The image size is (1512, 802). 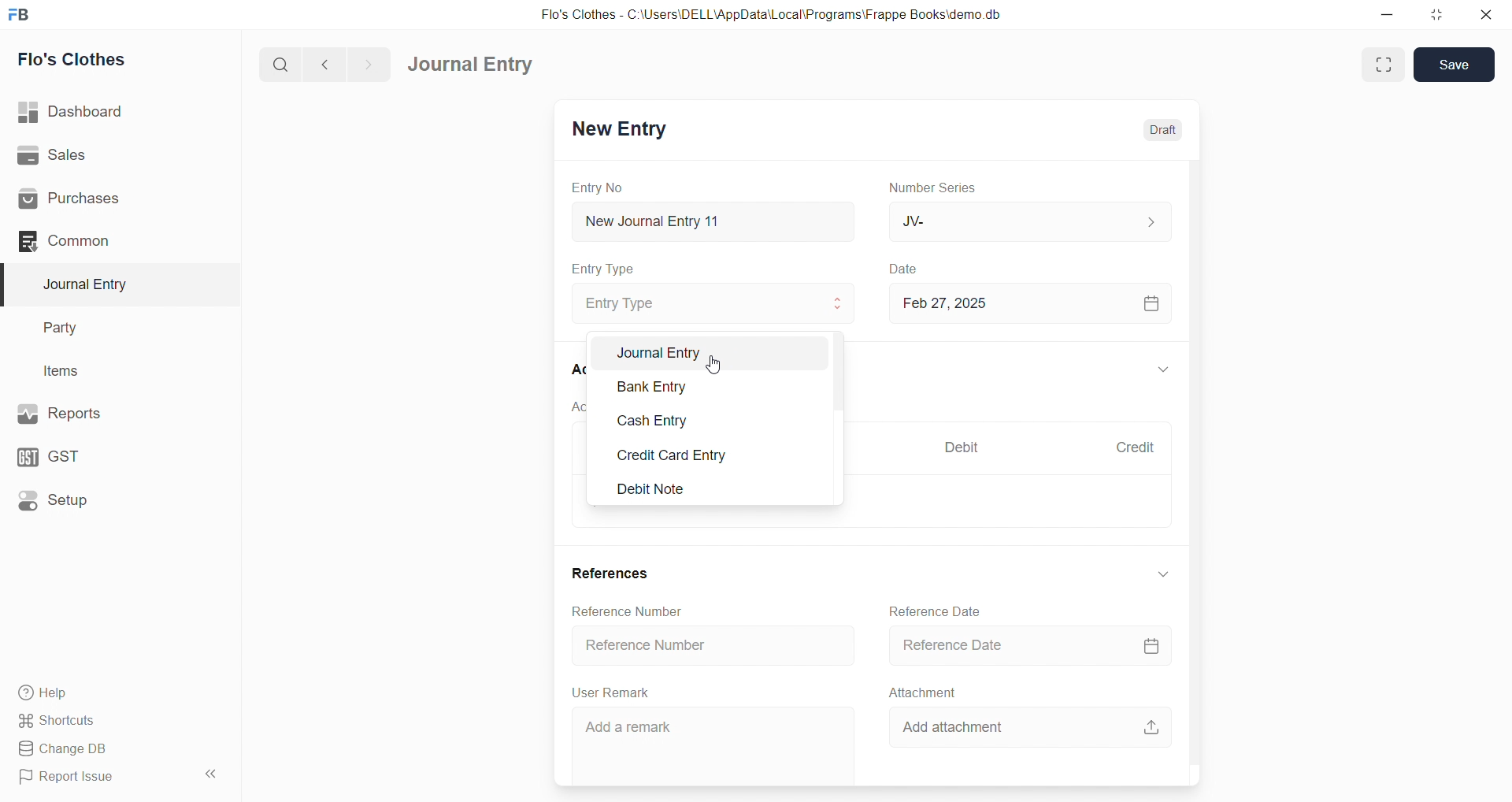 What do you see at coordinates (98, 694) in the screenshot?
I see `Help` at bounding box center [98, 694].